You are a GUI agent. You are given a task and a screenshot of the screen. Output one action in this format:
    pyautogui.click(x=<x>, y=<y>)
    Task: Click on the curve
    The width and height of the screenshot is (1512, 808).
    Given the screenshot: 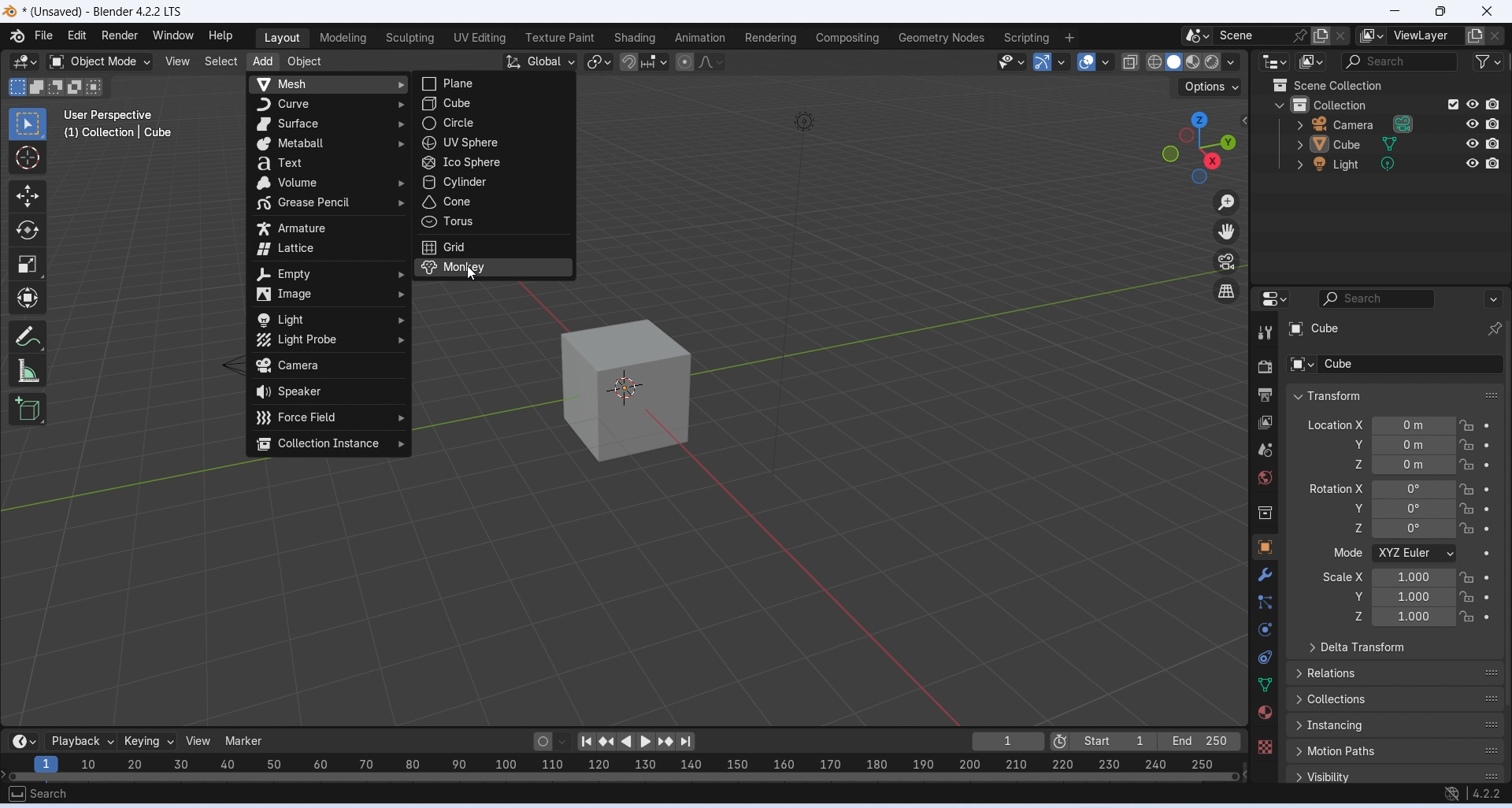 What is the action you would take?
    pyautogui.click(x=328, y=105)
    